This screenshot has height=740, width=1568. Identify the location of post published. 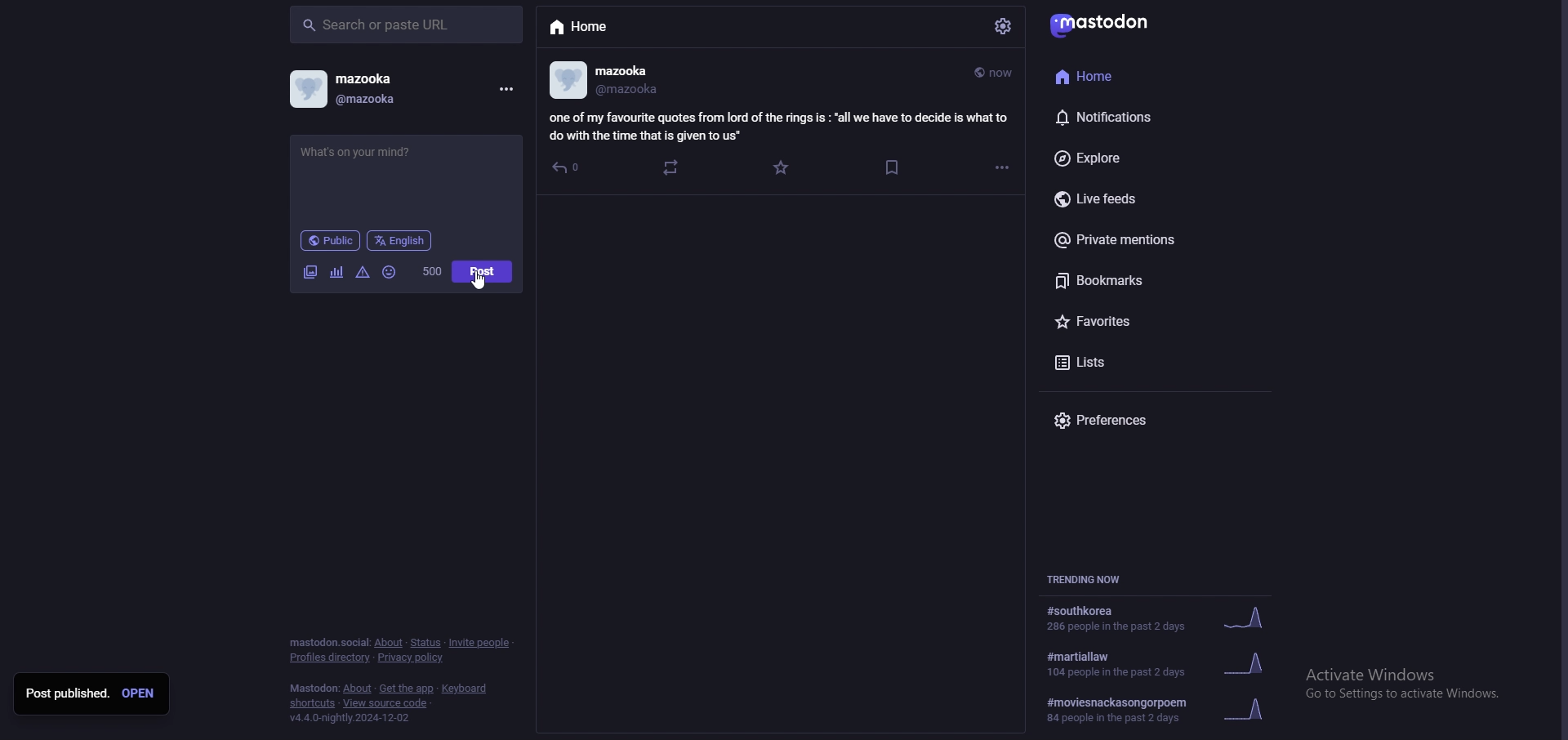
(68, 693).